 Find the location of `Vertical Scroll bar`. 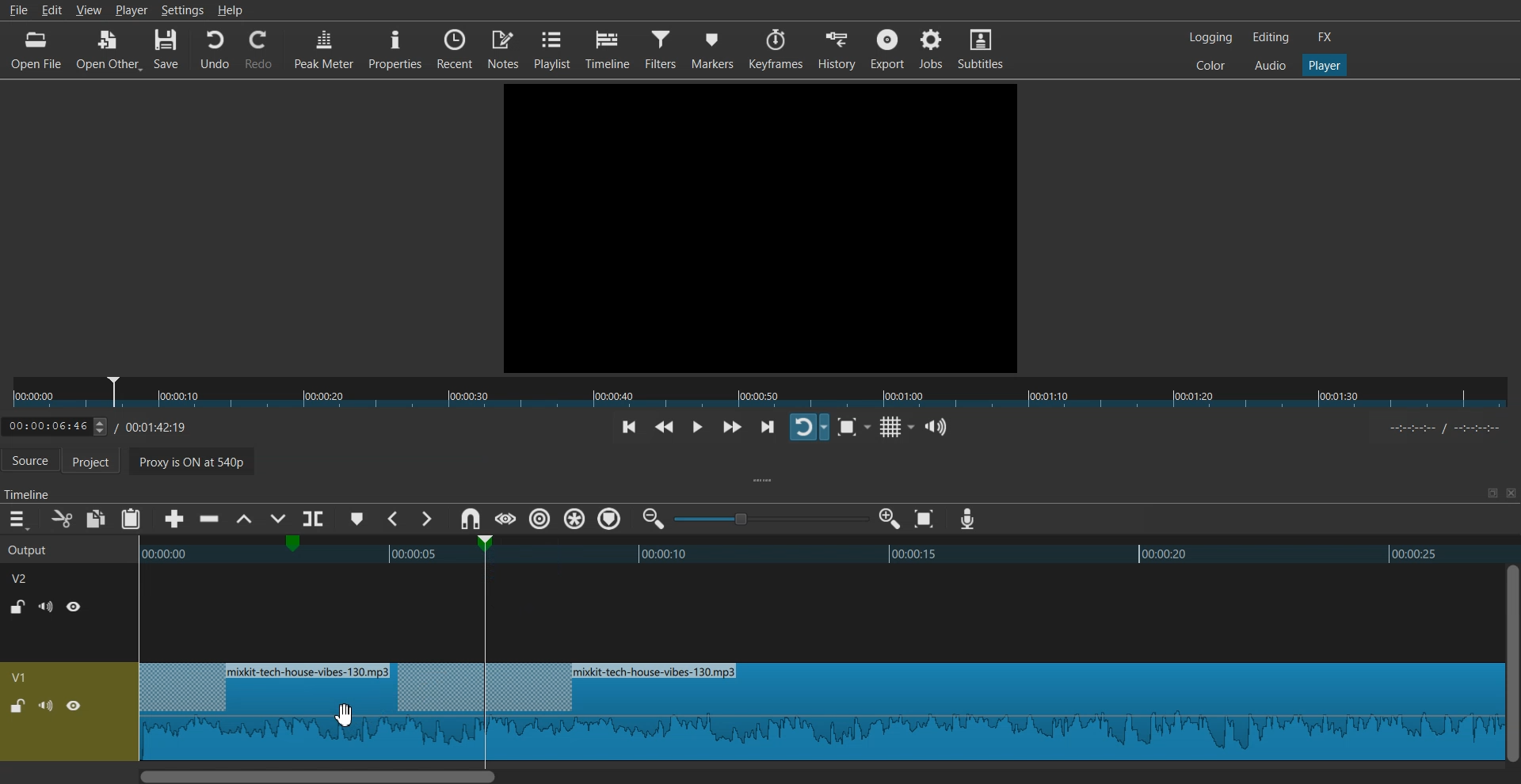

Vertical Scroll bar is located at coordinates (1511, 663).